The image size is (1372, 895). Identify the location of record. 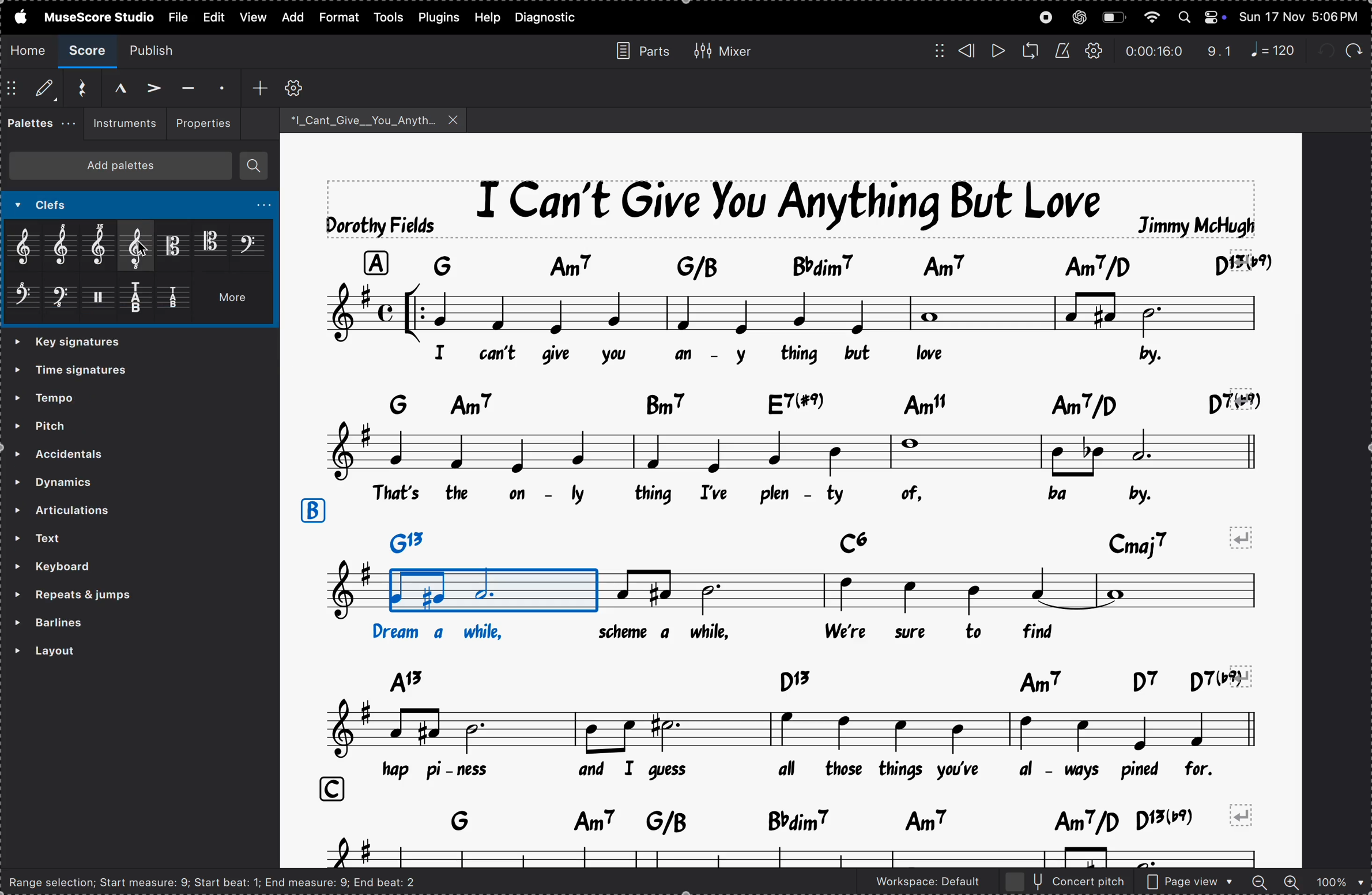
(1046, 17).